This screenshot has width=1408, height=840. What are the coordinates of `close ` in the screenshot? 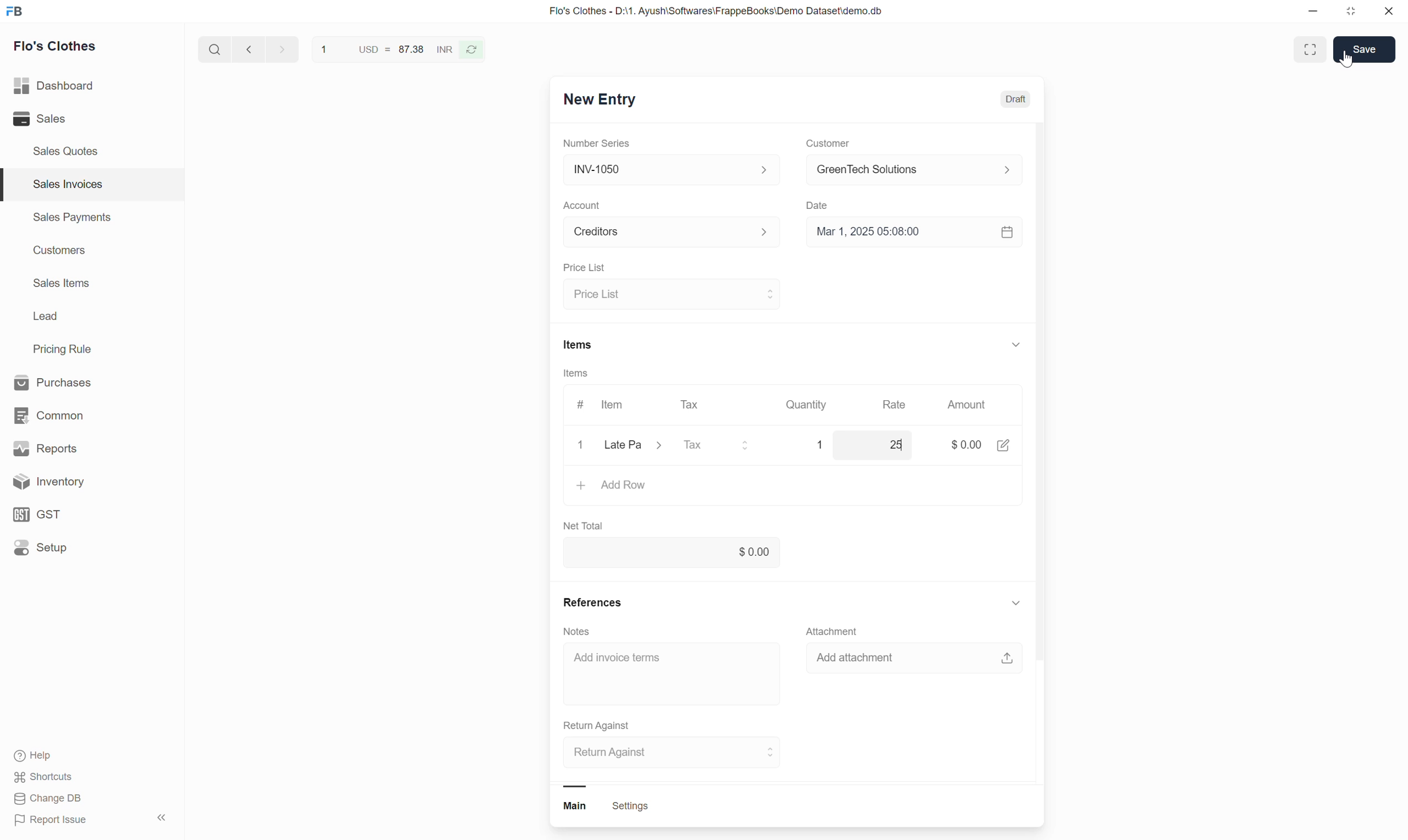 It's located at (1390, 12).